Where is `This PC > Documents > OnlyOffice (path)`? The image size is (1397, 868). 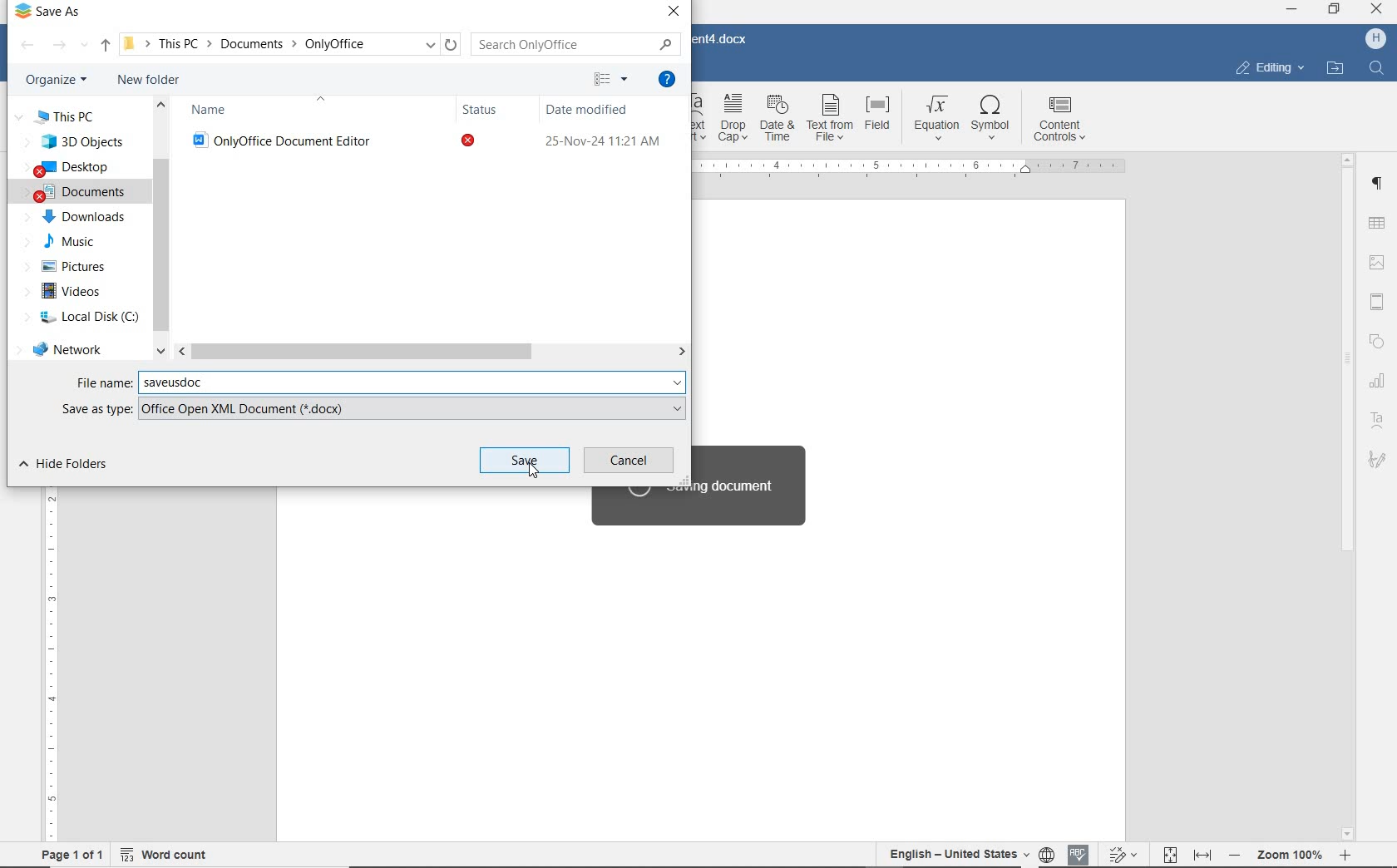
This PC > Documents > OnlyOffice (path) is located at coordinates (280, 47).